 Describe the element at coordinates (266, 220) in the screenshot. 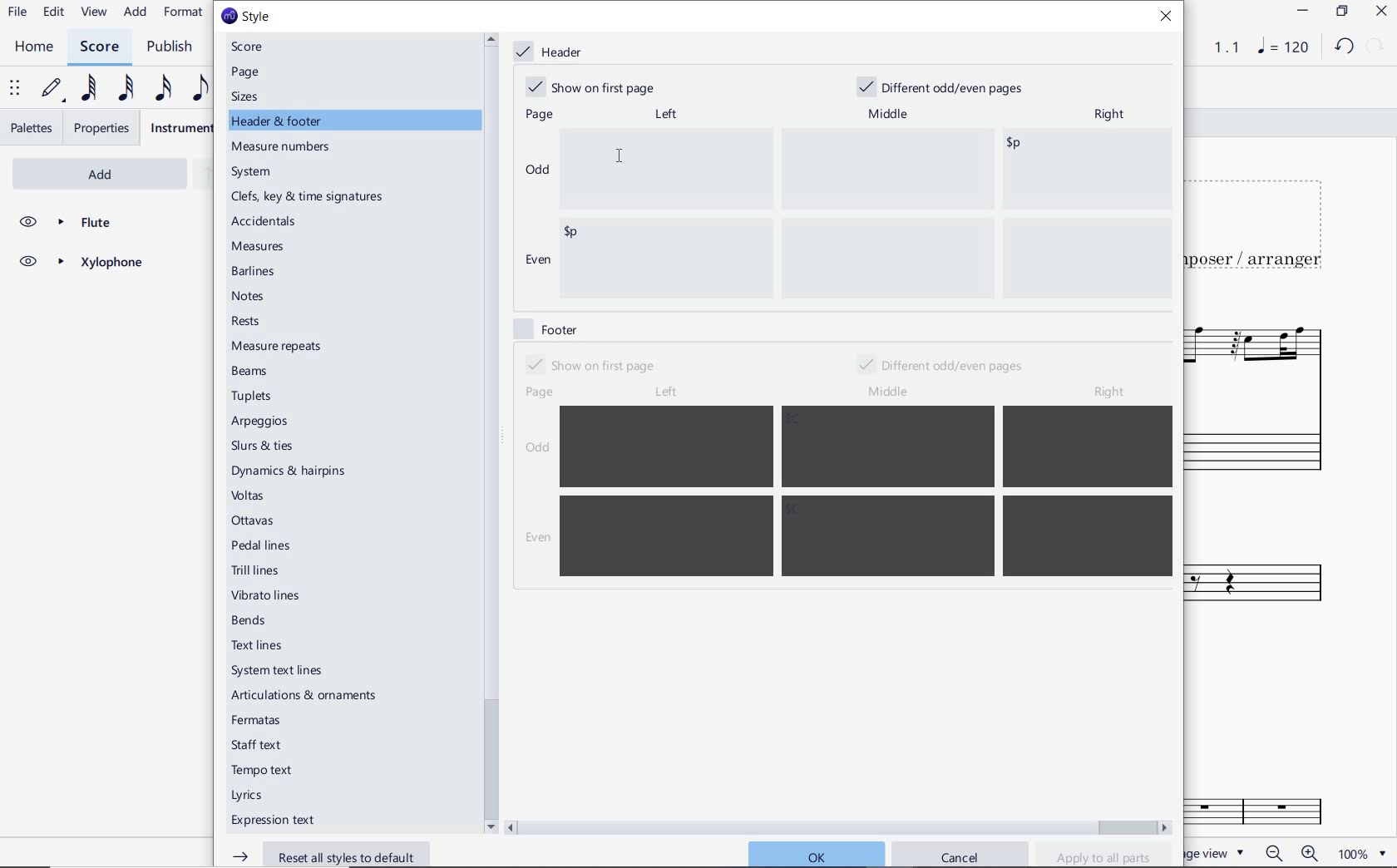

I see `accidentals` at that location.